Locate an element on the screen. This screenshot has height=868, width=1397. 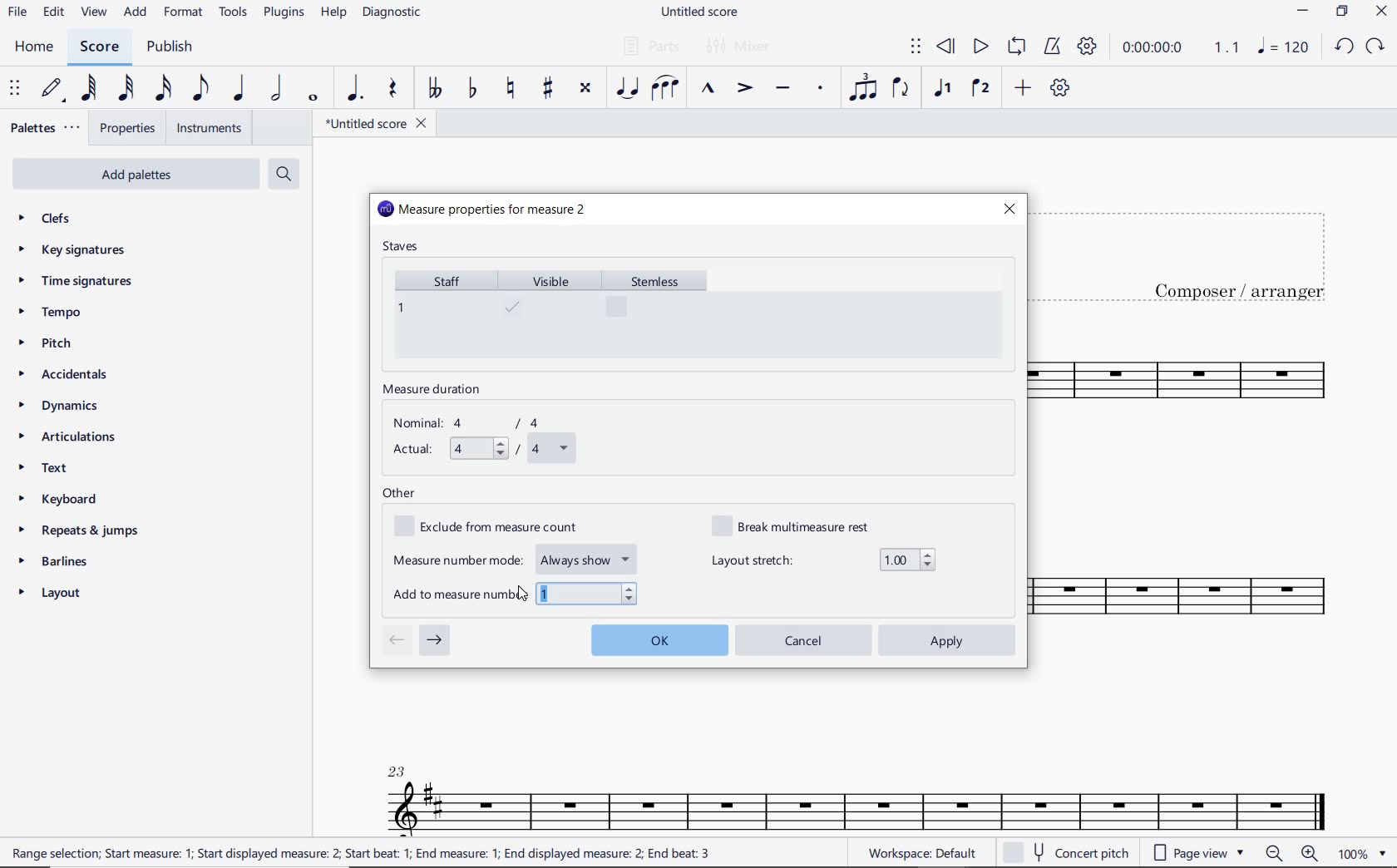
REST is located at coordinates (393, 91).